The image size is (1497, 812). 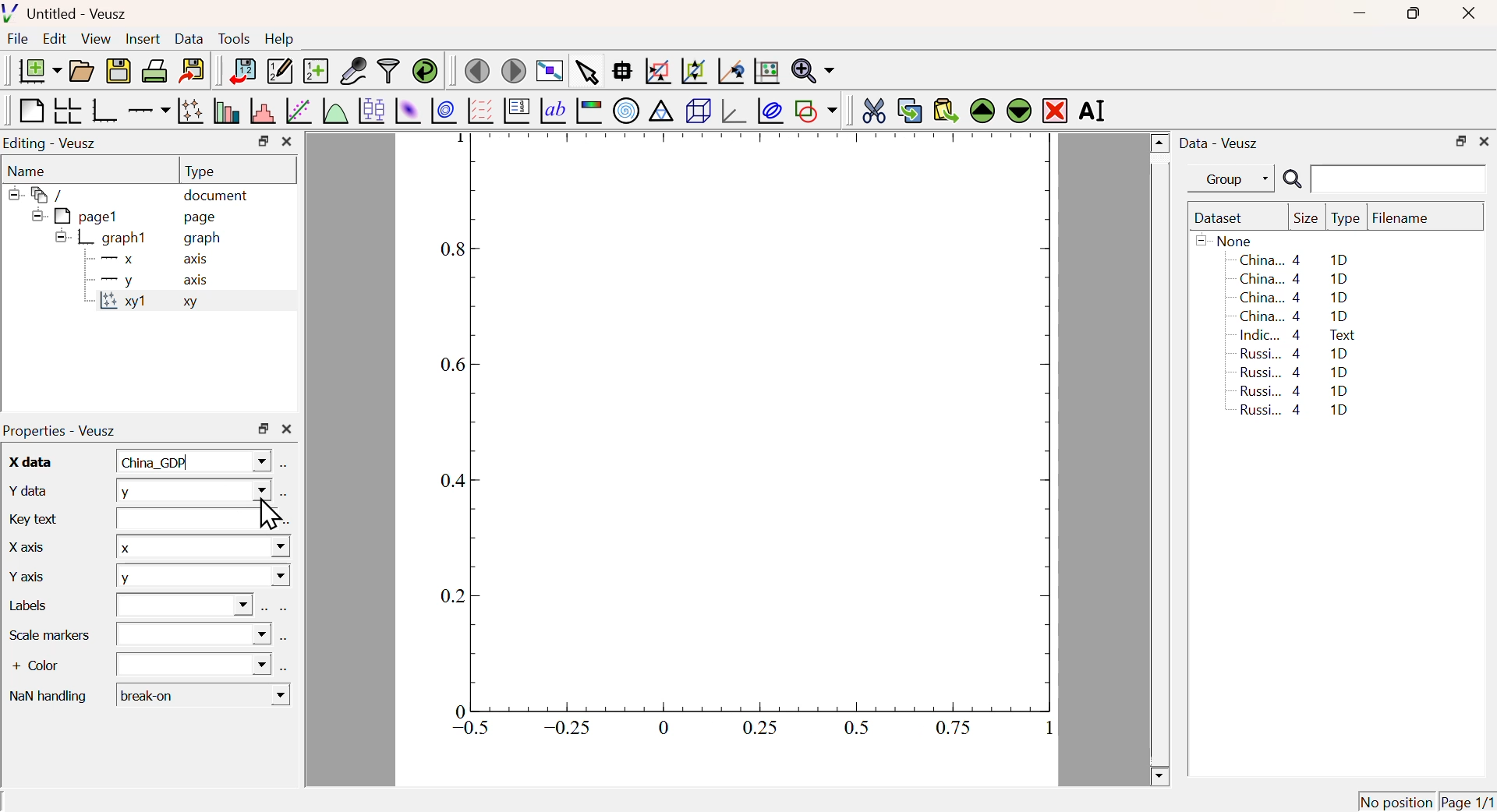 What do you see at coordinates (515, 110) in the screenshot?
I see `Plot Key` at bounding box center [515, 110].